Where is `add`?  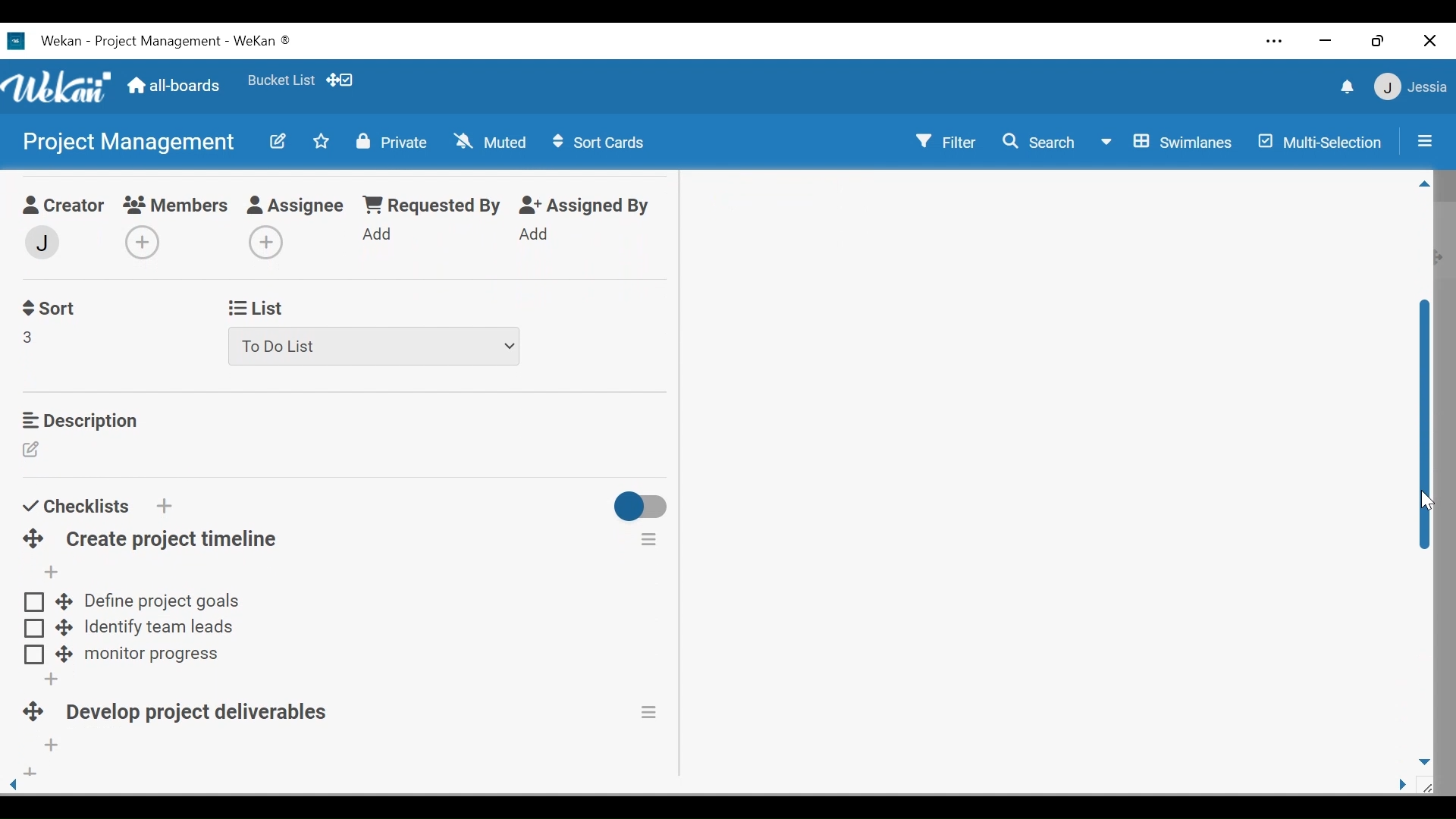
add is located at coordinates (47, 679).